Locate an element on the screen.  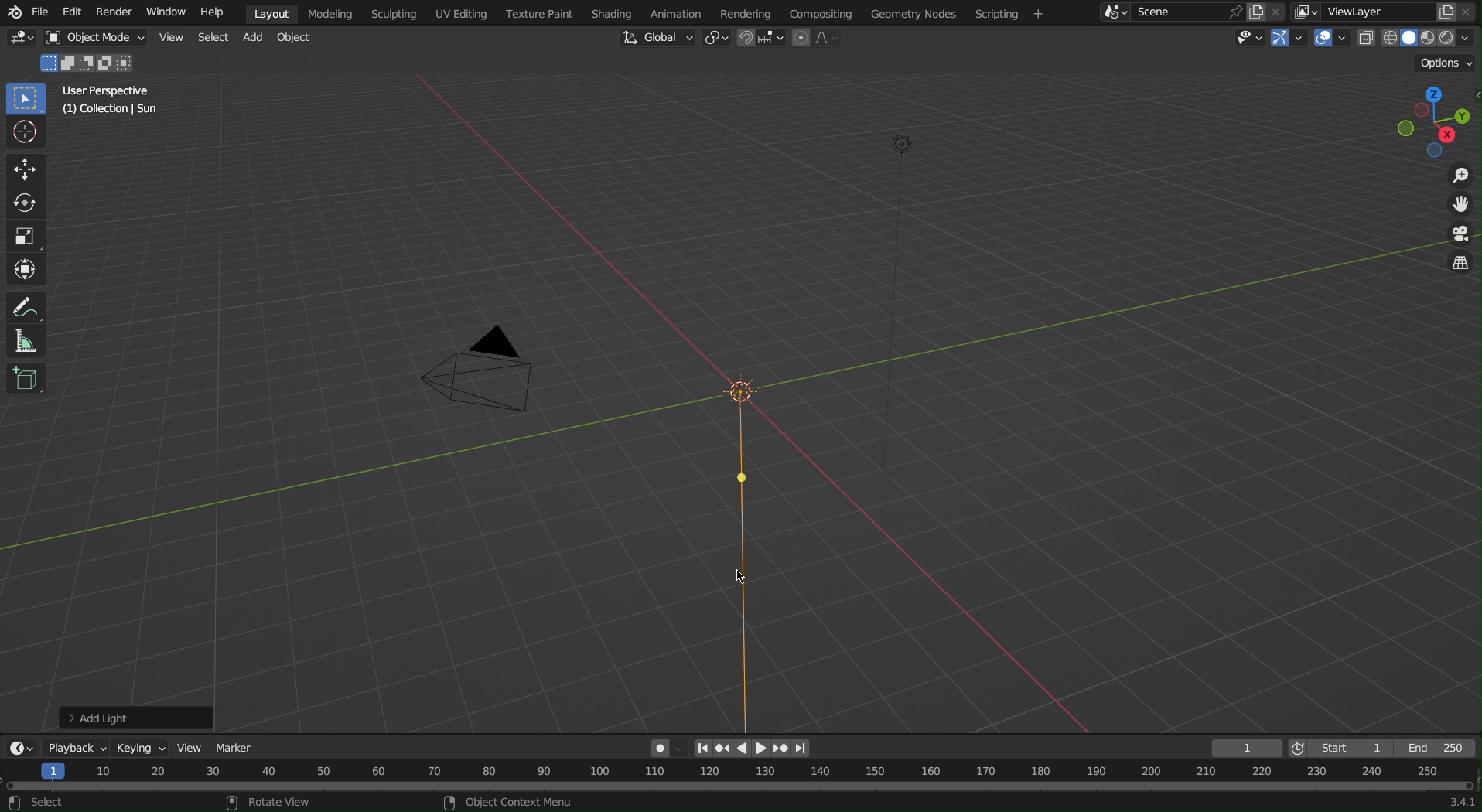
Measure is located at coordinates (29, 340).